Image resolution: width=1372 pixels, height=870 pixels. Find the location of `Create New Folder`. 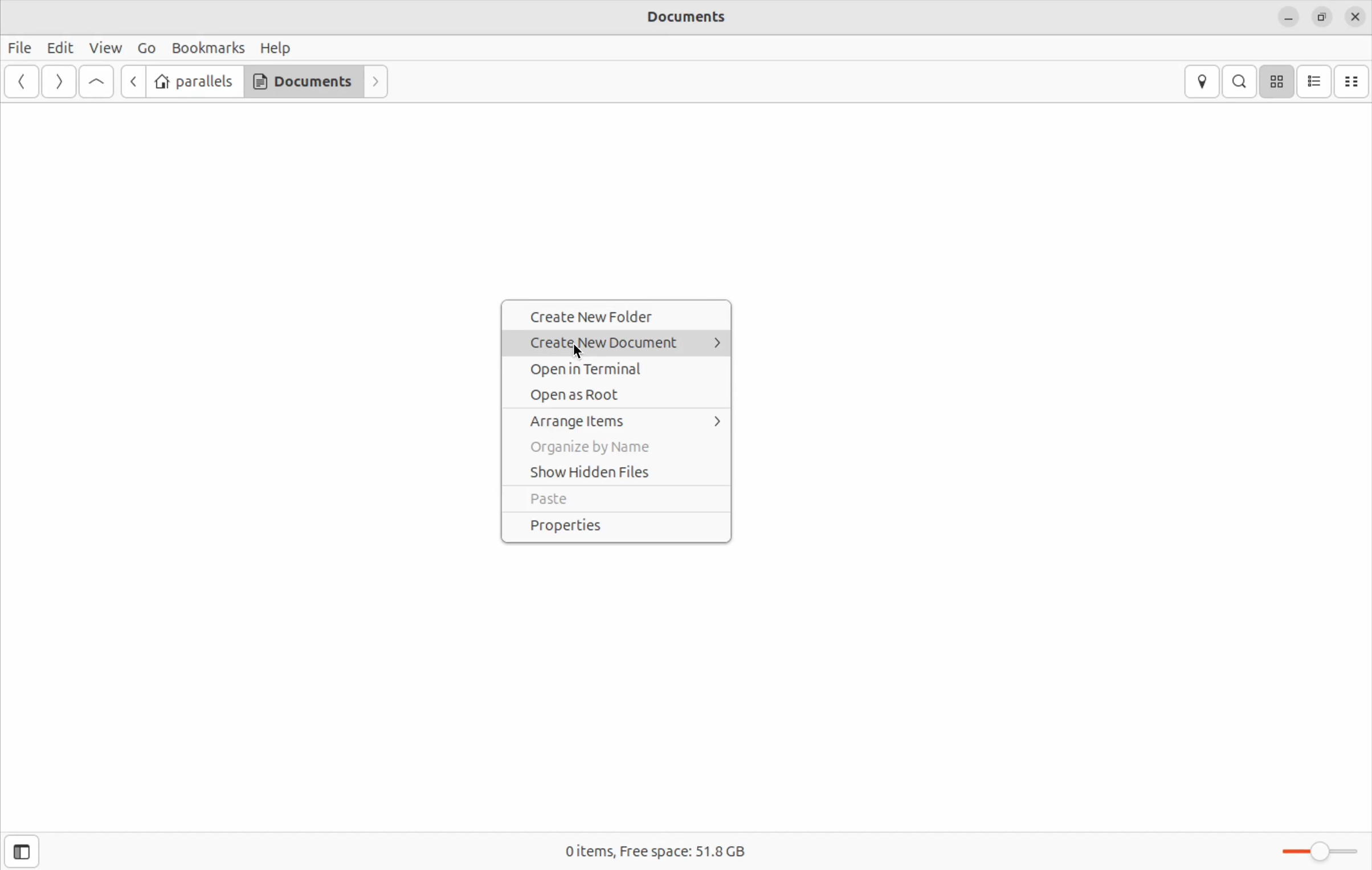

Create New Folder is located at coordinates (619, 316).